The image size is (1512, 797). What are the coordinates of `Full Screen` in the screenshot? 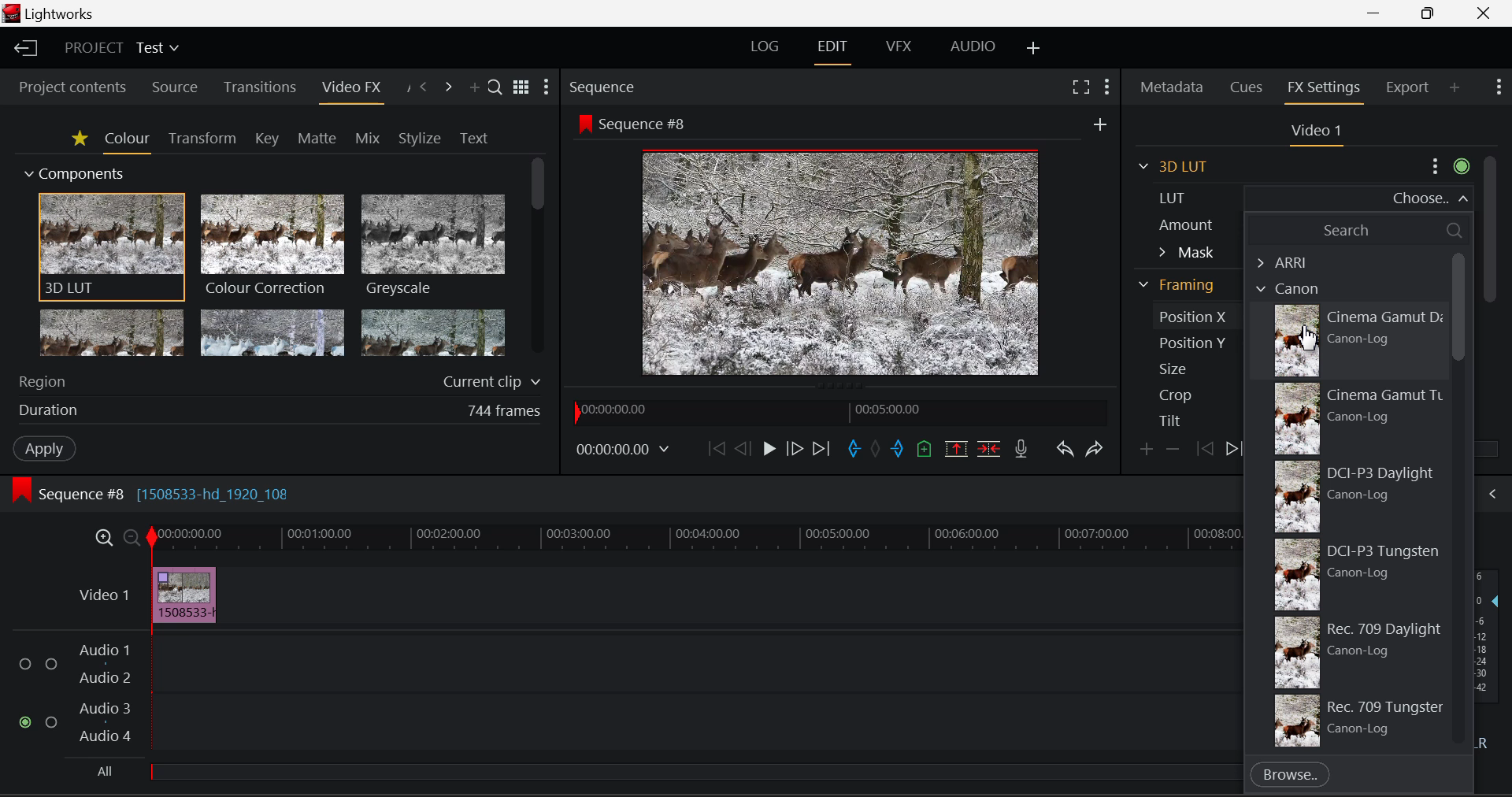 It's located at (1080, 86).